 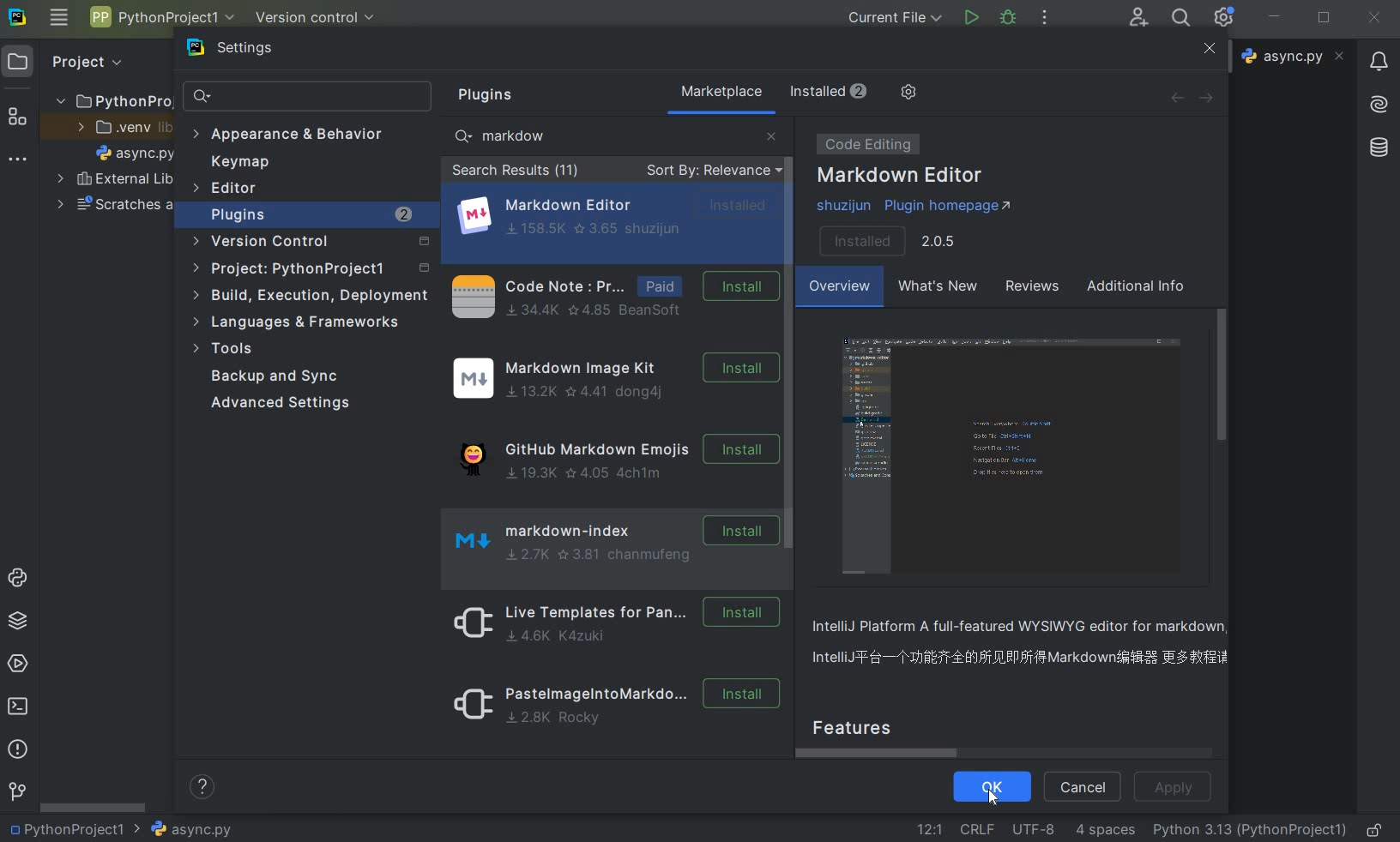 What do you see at coordinates (311, 244) in the screenshot?
I see `version control` at bounding box center [311, 244].